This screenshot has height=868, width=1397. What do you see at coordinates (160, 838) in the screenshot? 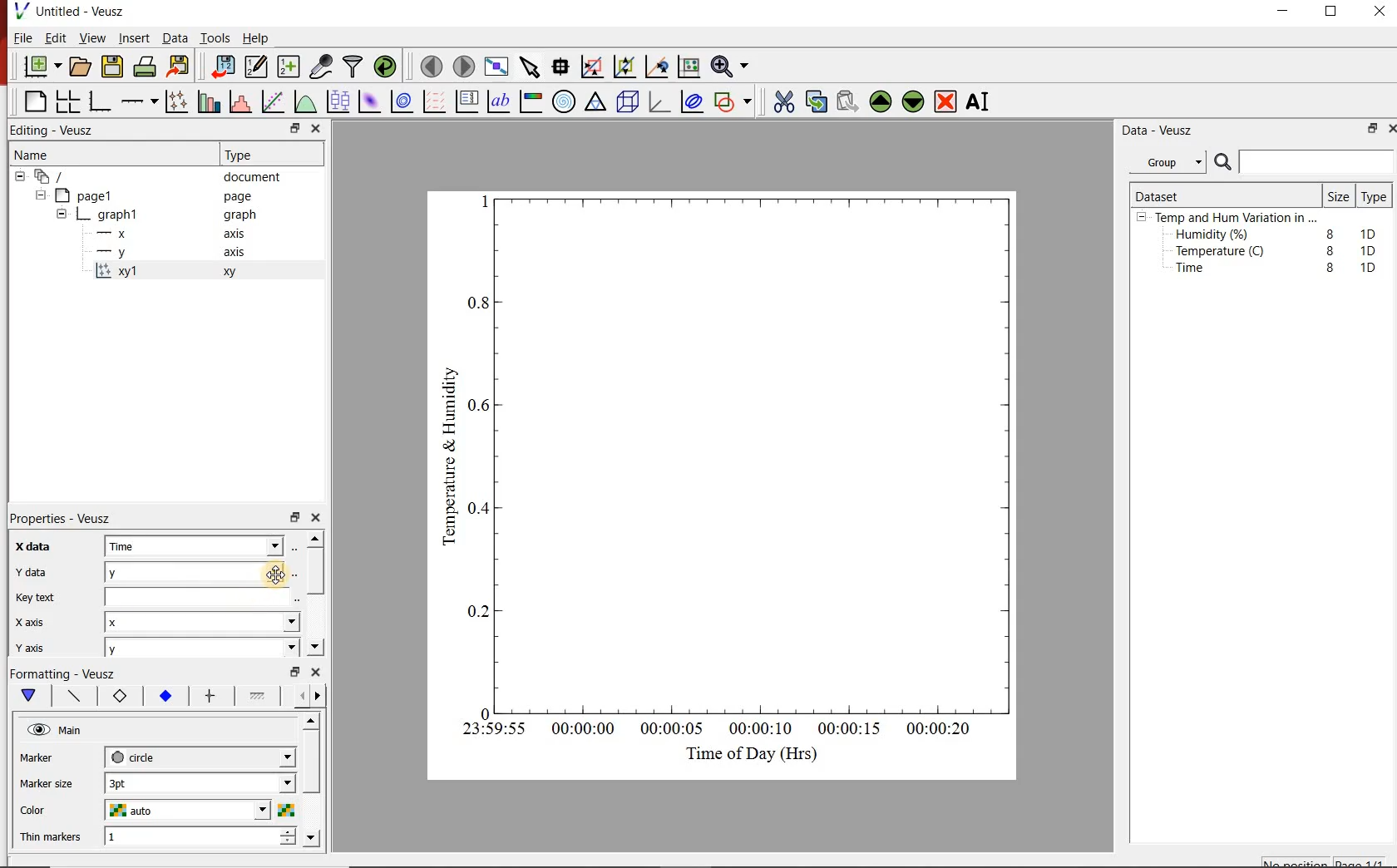
I see `1` at bounding box center [160, 838].